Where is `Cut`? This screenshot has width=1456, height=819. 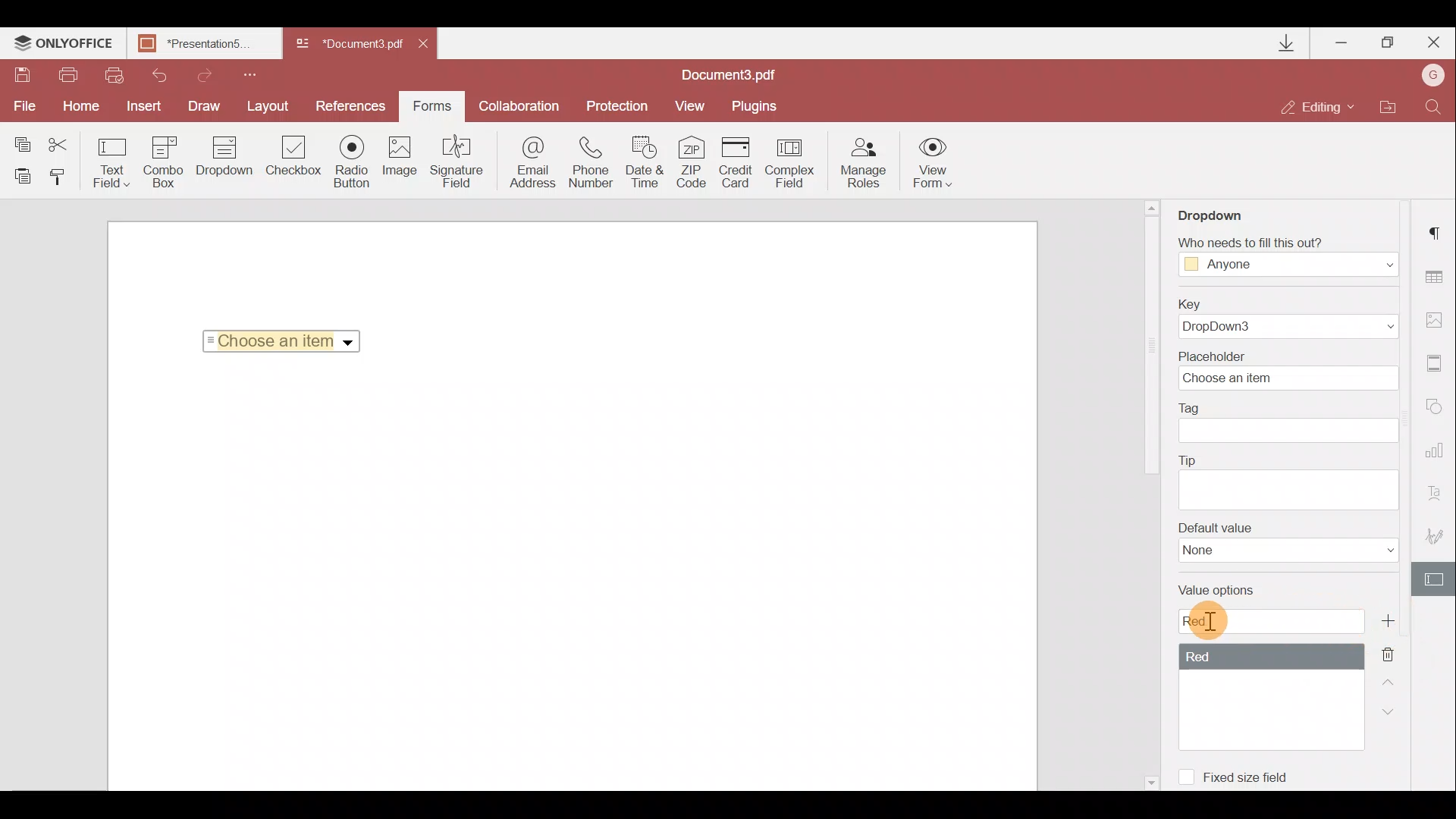 Cut is located at coordinates (60, 140).